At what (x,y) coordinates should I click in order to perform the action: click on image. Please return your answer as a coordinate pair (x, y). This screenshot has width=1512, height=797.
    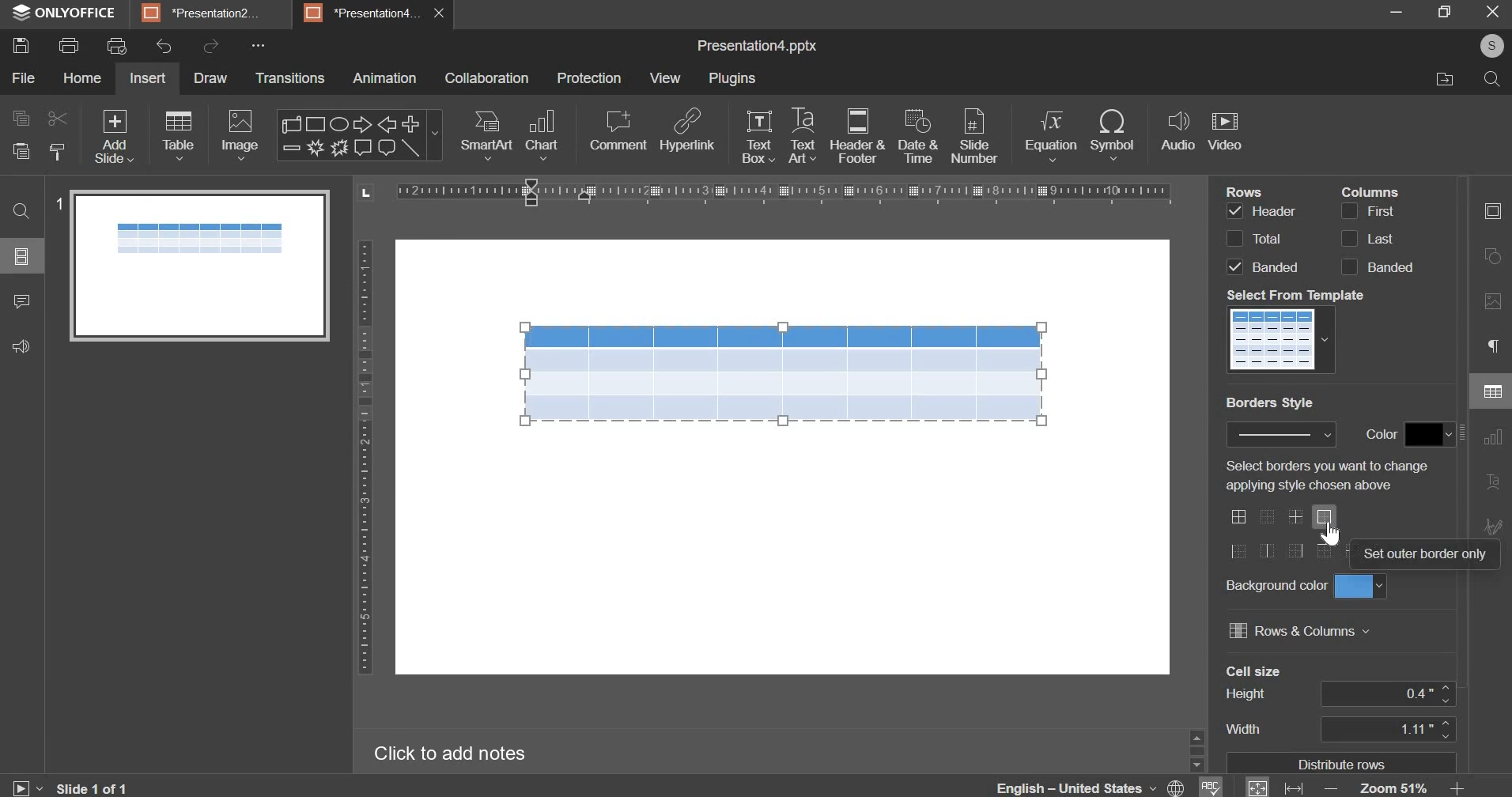
    Looking at the image, I should click on (239, 136).